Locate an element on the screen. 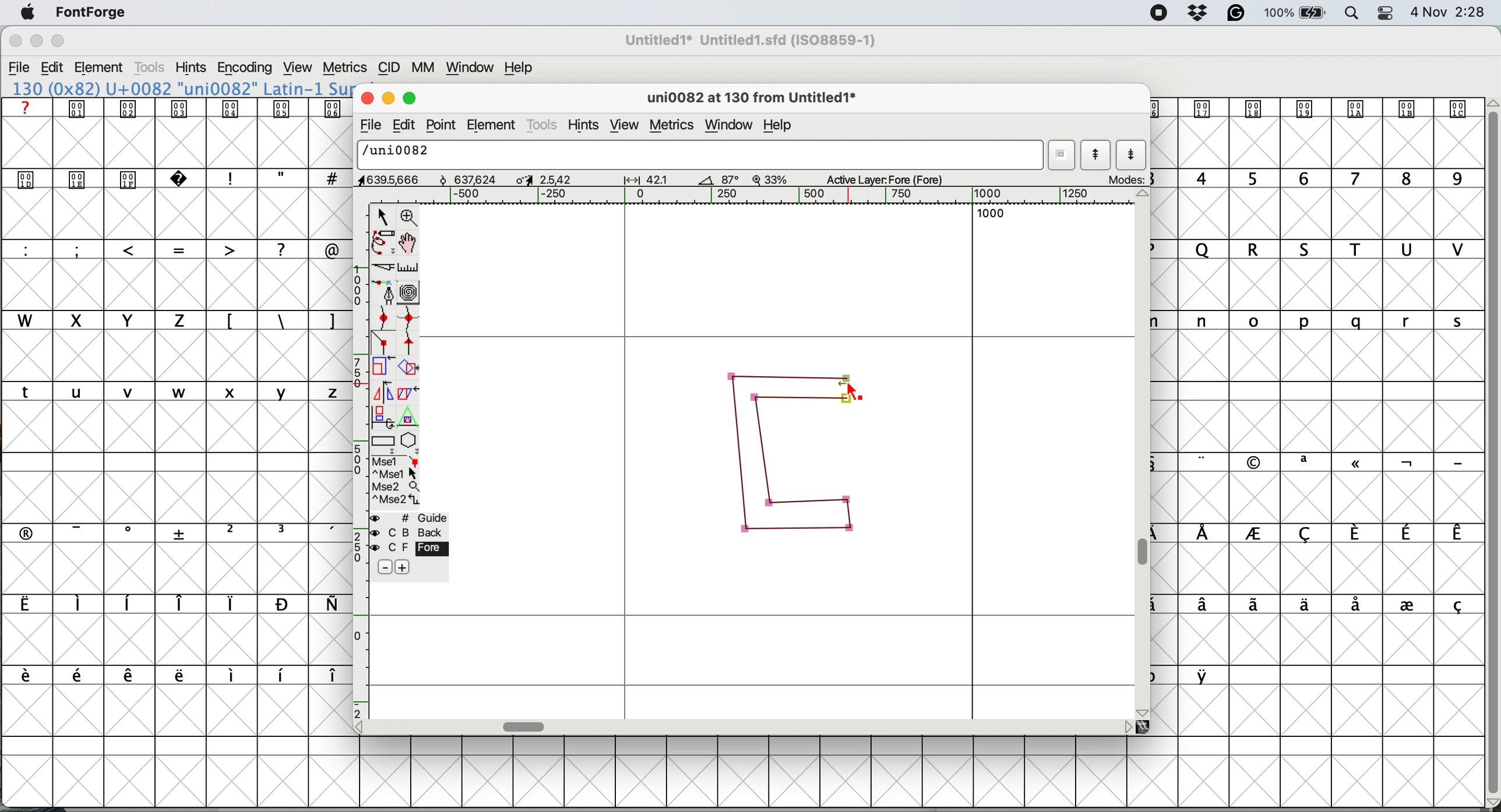 Image resolution: width=1501 pixels, height=812 pixels. minimise is located at coordinates (36, 41).